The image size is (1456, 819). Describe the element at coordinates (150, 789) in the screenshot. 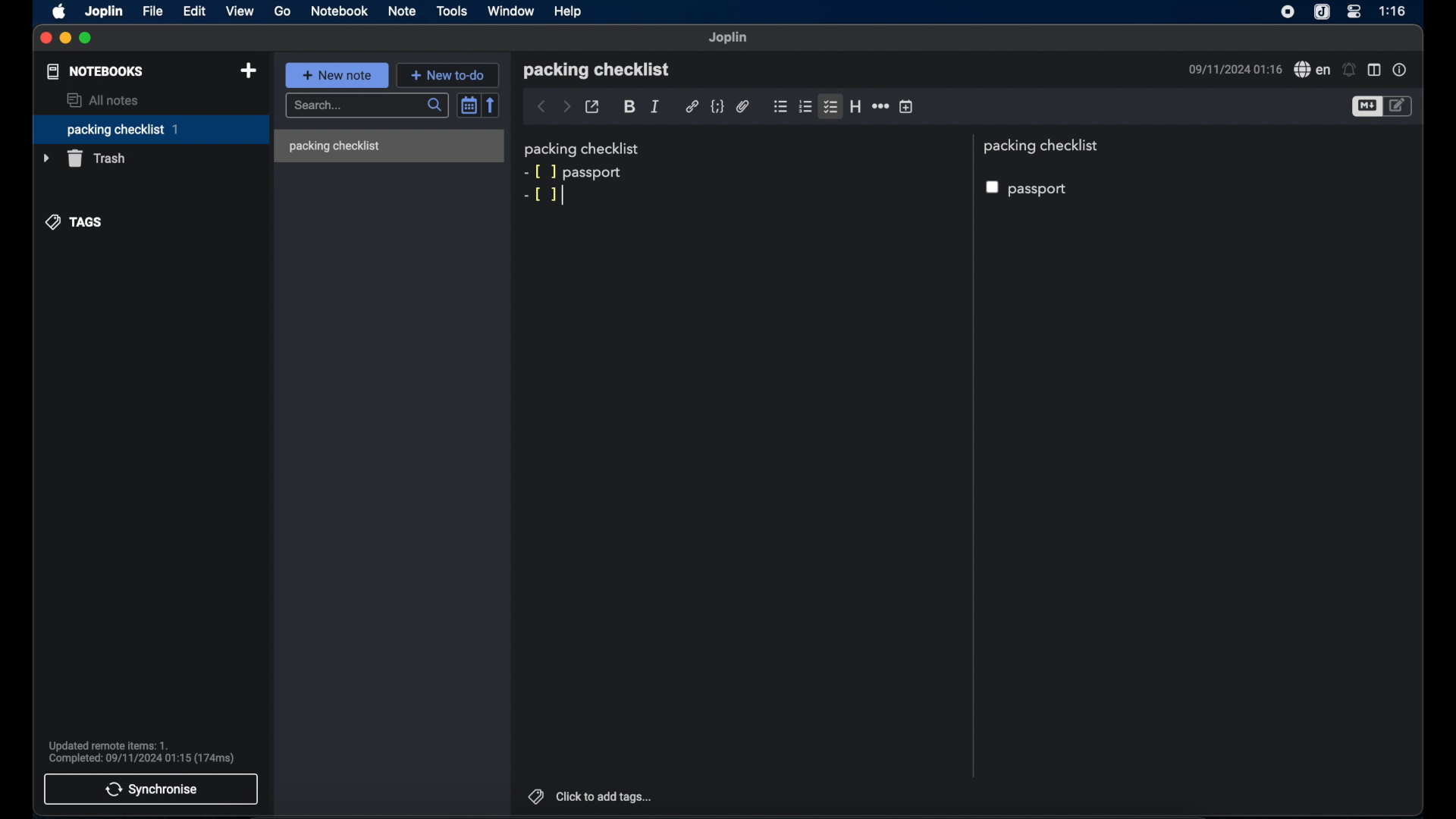

I see `synchronise` at that location.